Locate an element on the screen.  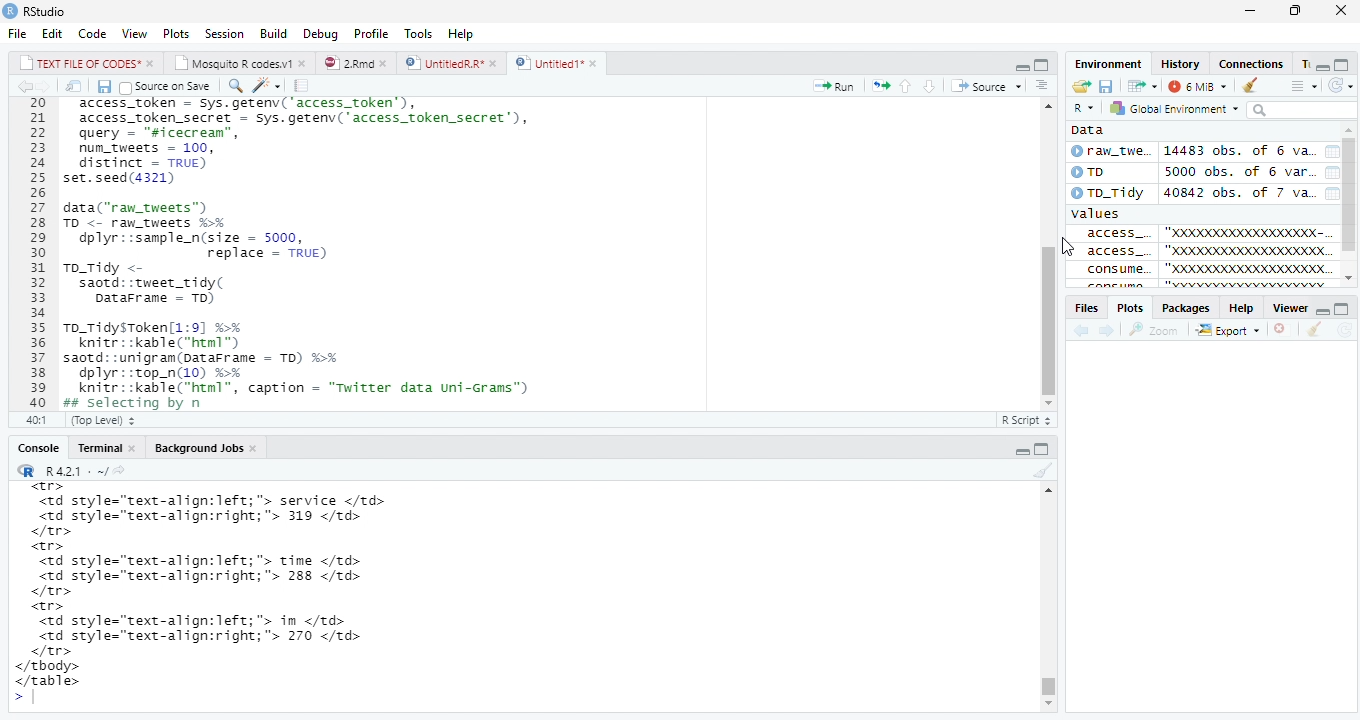
Console is located at coordinates (32, 447).